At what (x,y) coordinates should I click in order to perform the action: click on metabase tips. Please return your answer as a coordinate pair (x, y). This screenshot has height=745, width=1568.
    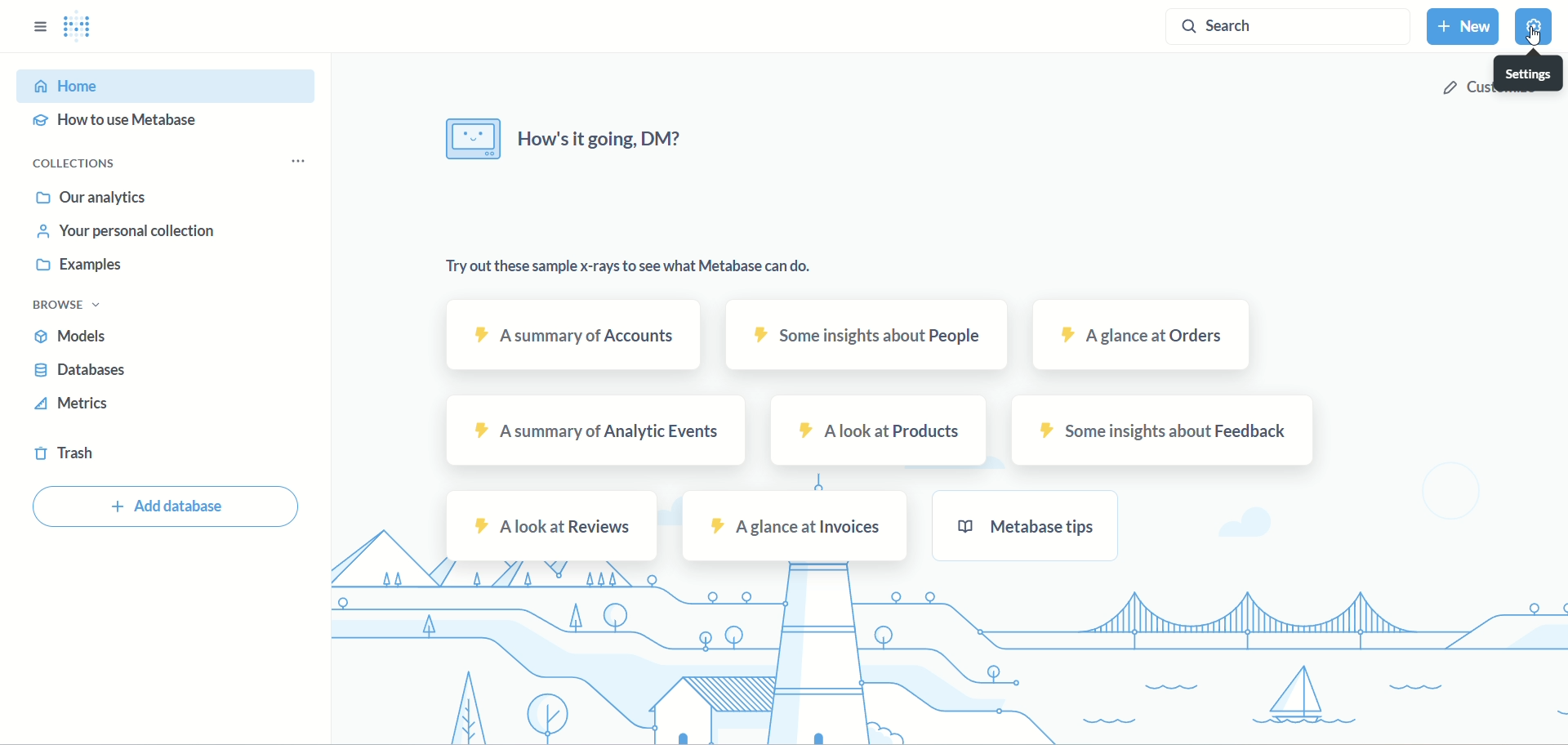
    Looking at the image, I should click on (1027, 529).